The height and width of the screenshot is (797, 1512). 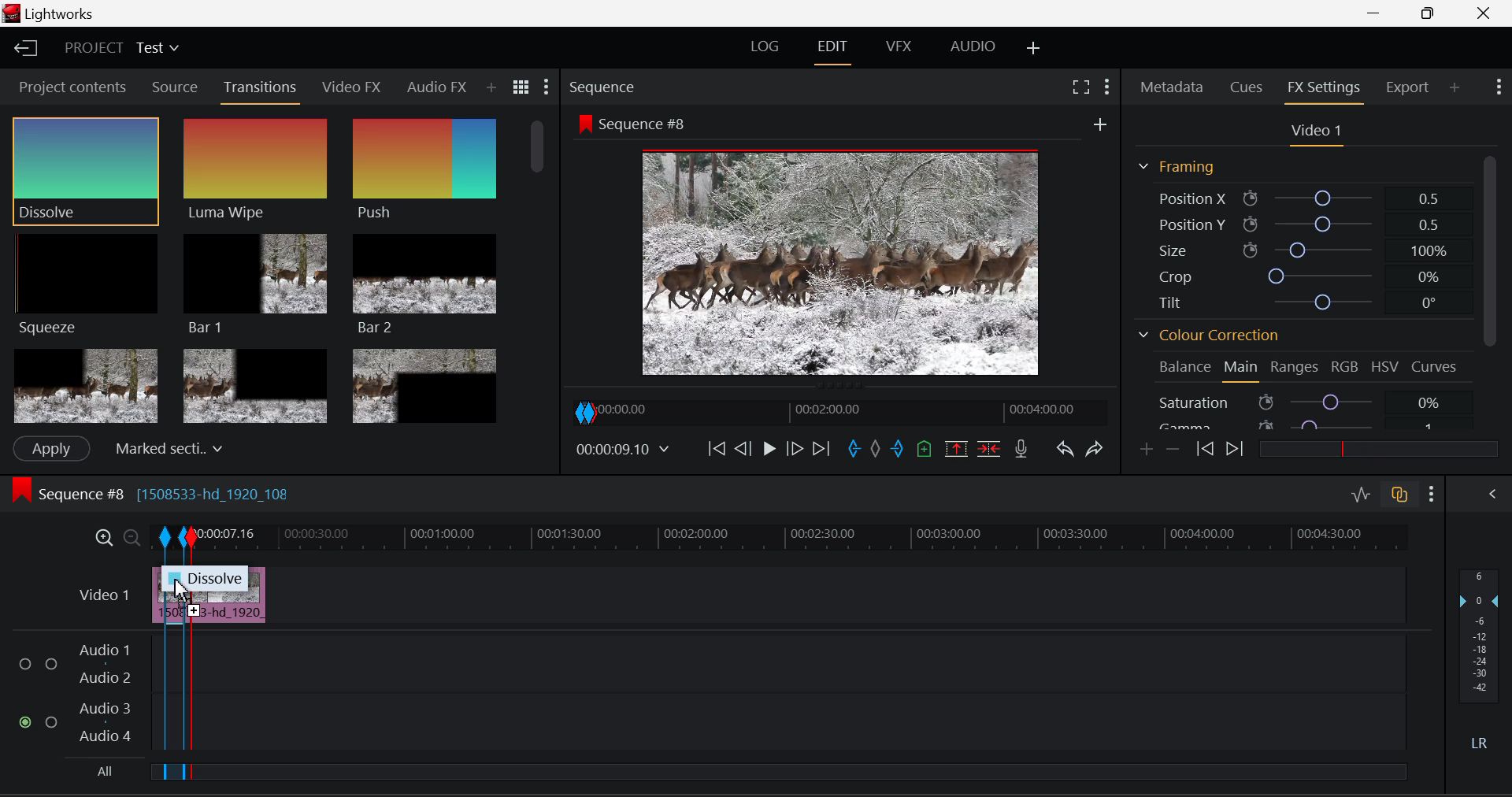 I want to click on Squeeze, so click(x=89, y=287).